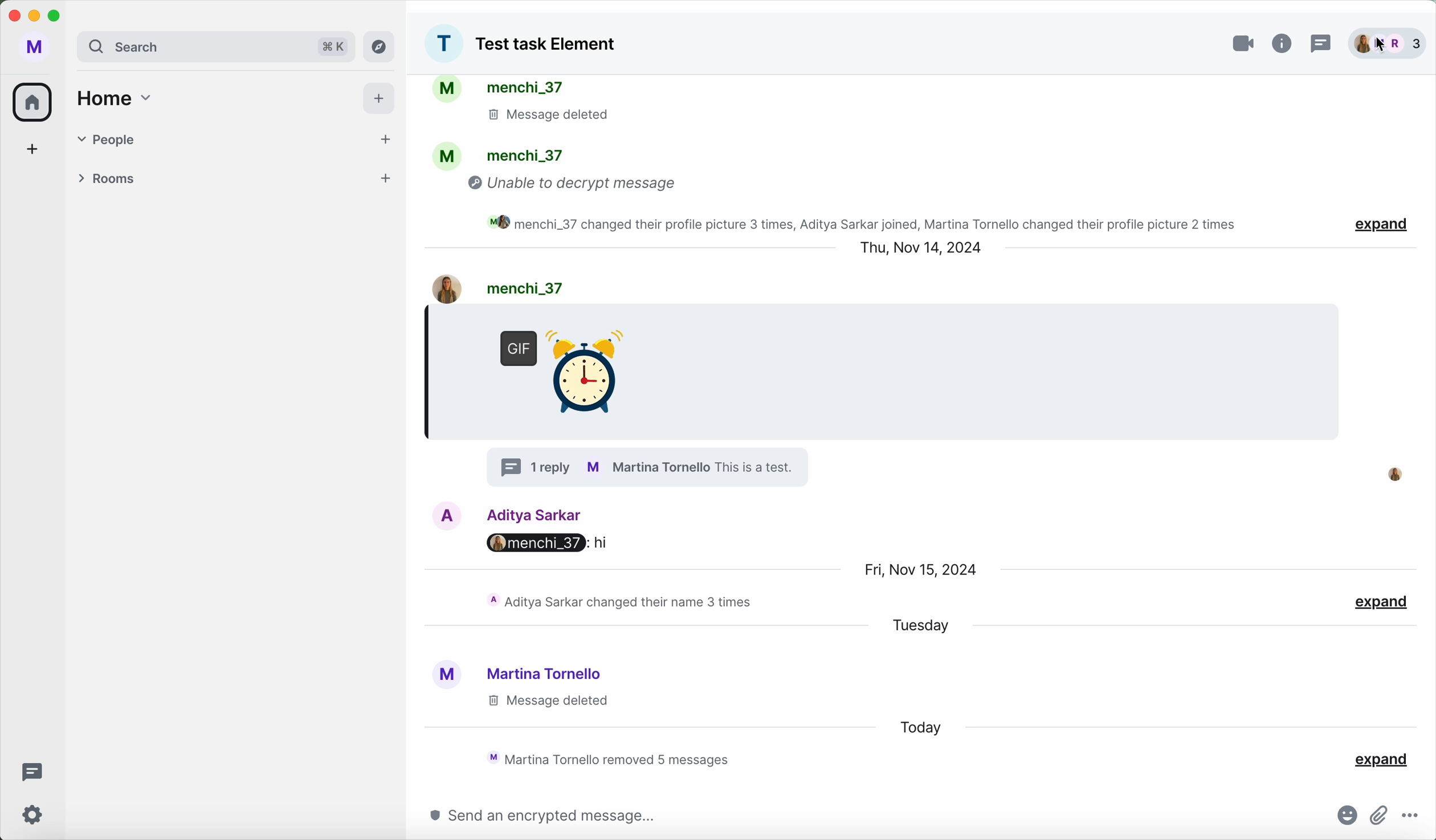 The width and height of the screenshot is (1436, 840). Describe the element at coordinates (1411, 817) in the screenshot. I see `more options` at that location.